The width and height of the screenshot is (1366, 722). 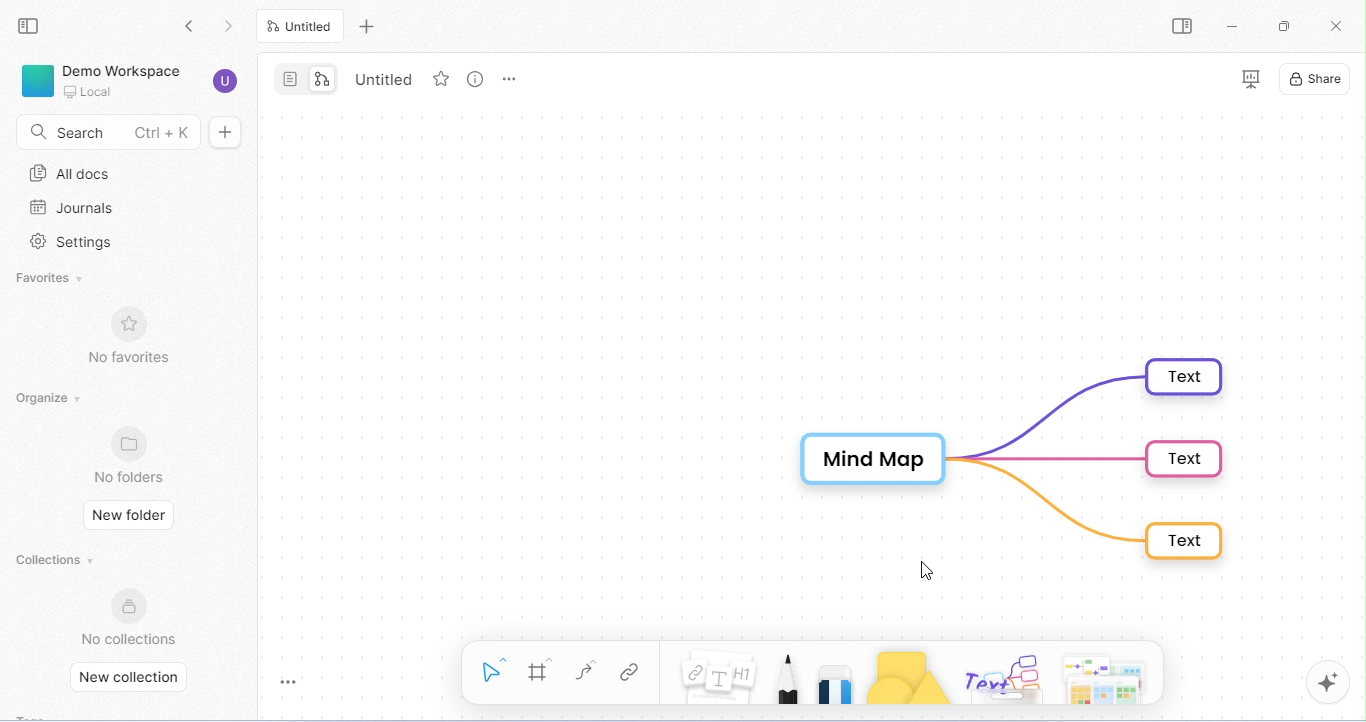 I want to click on arrows, cheeky piggles, paper and more, so click(x=1101, y=677).